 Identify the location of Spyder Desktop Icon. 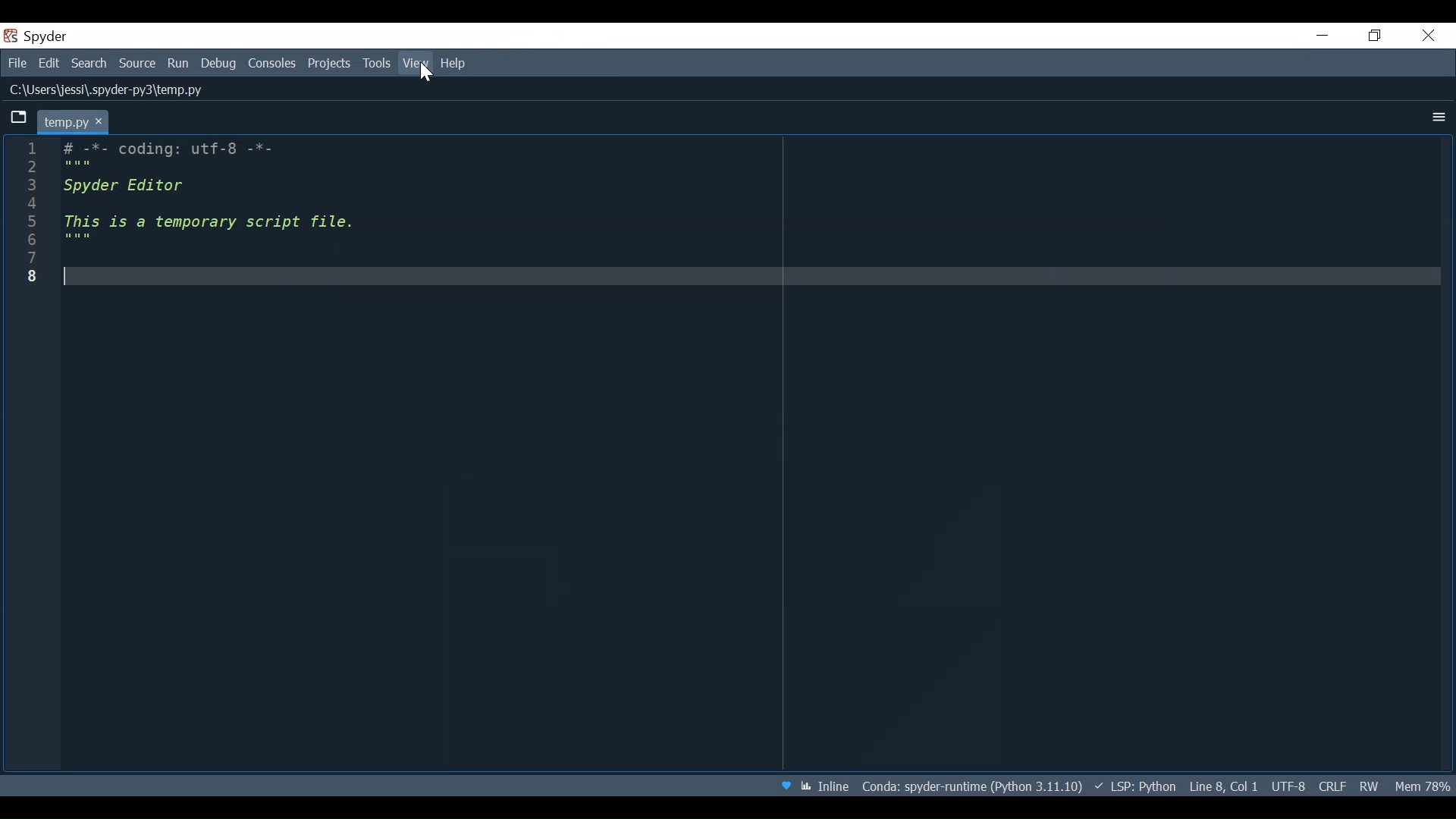
(9, 38).